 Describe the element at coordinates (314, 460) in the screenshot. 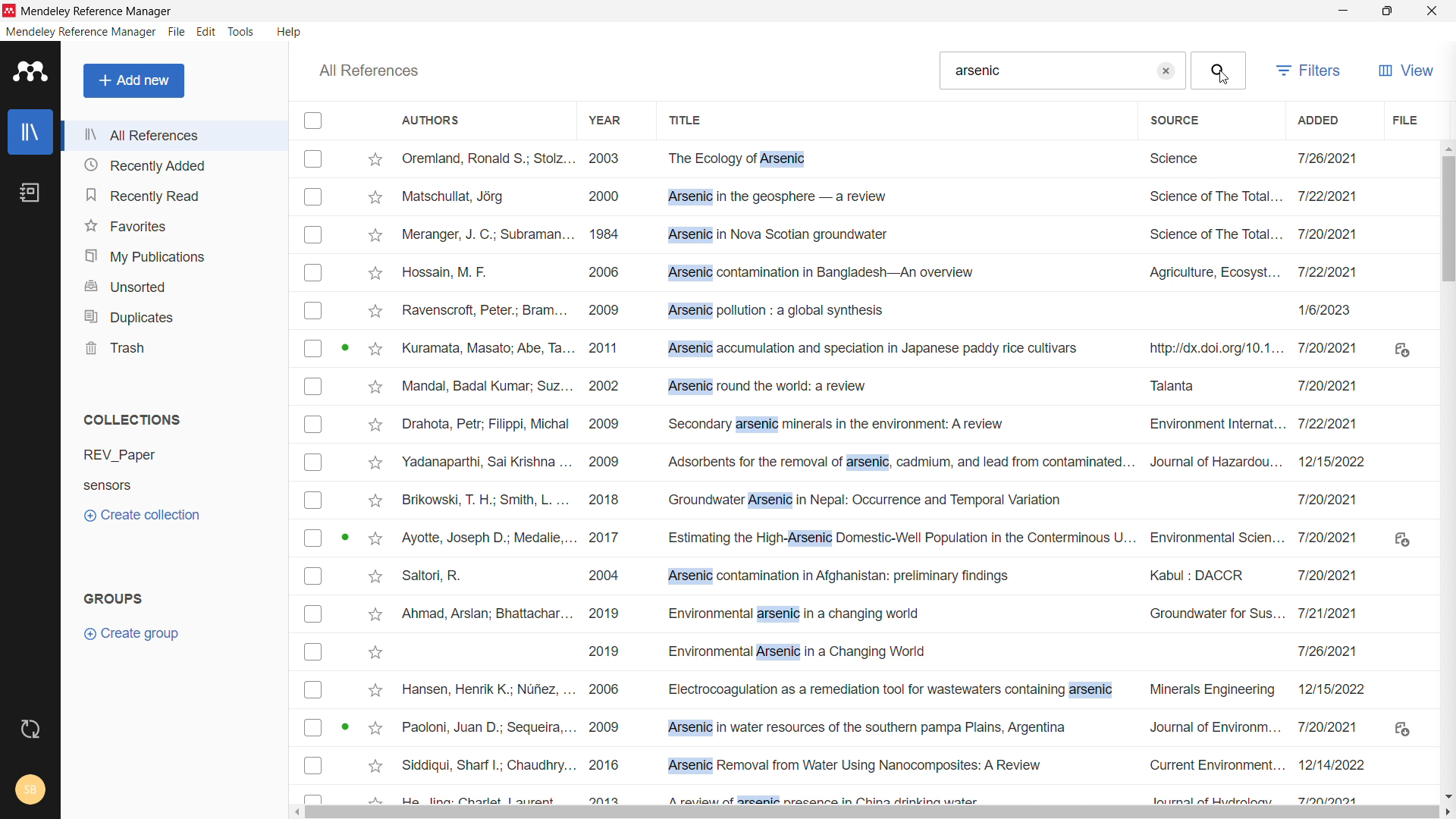

I see `Checkbox` at that location.